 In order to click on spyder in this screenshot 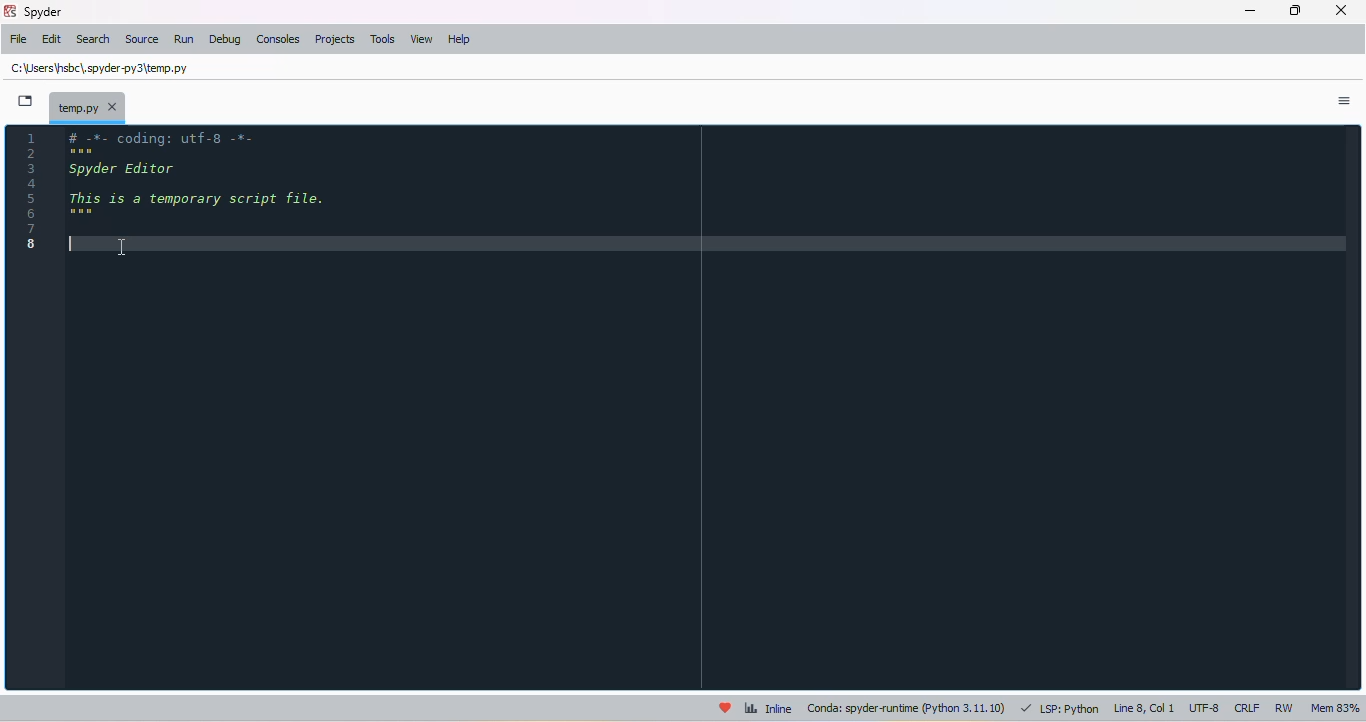, I will do `click(9, 11)`.